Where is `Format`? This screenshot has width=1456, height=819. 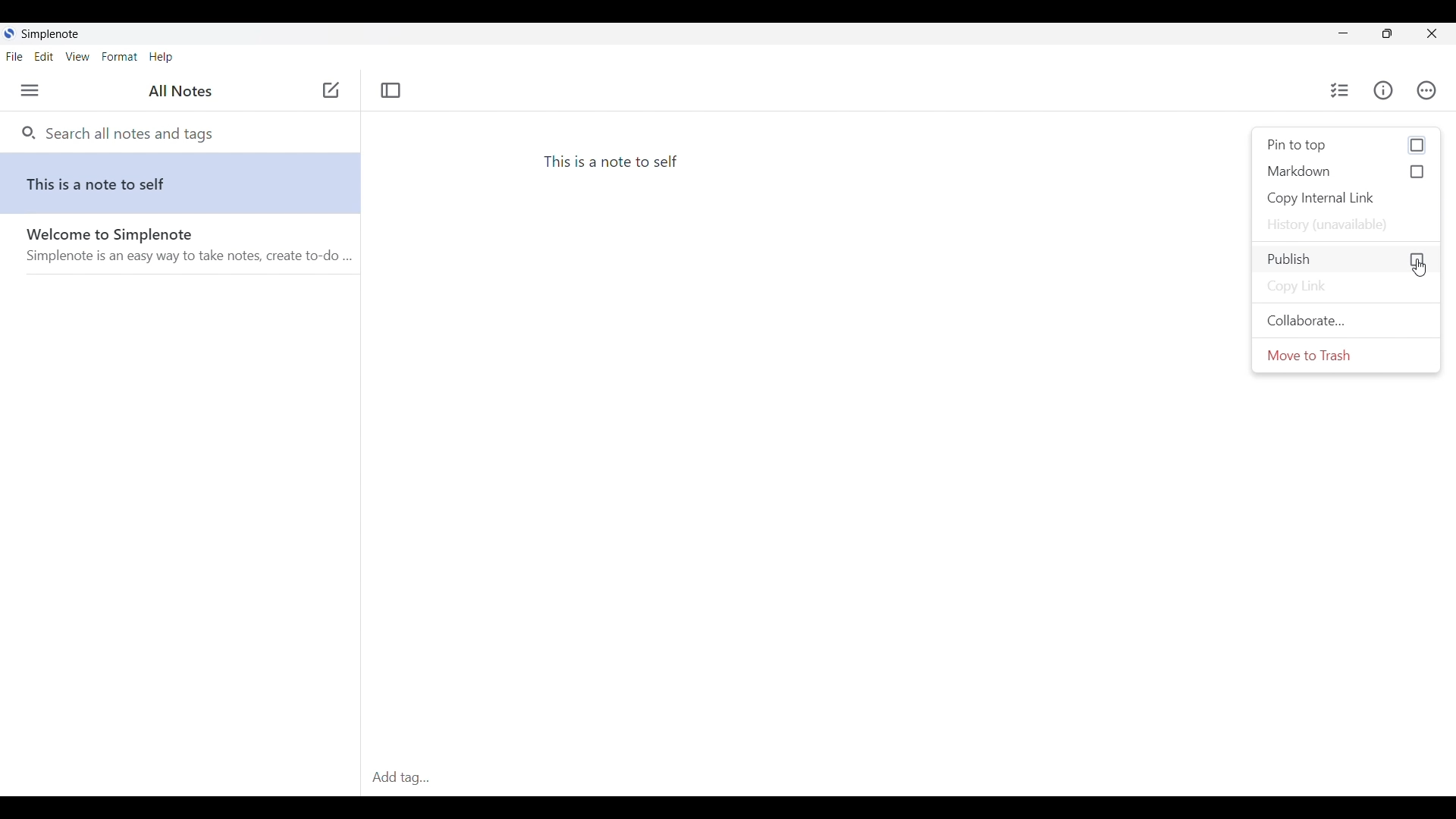
Format is located at coordinates (121, 57).